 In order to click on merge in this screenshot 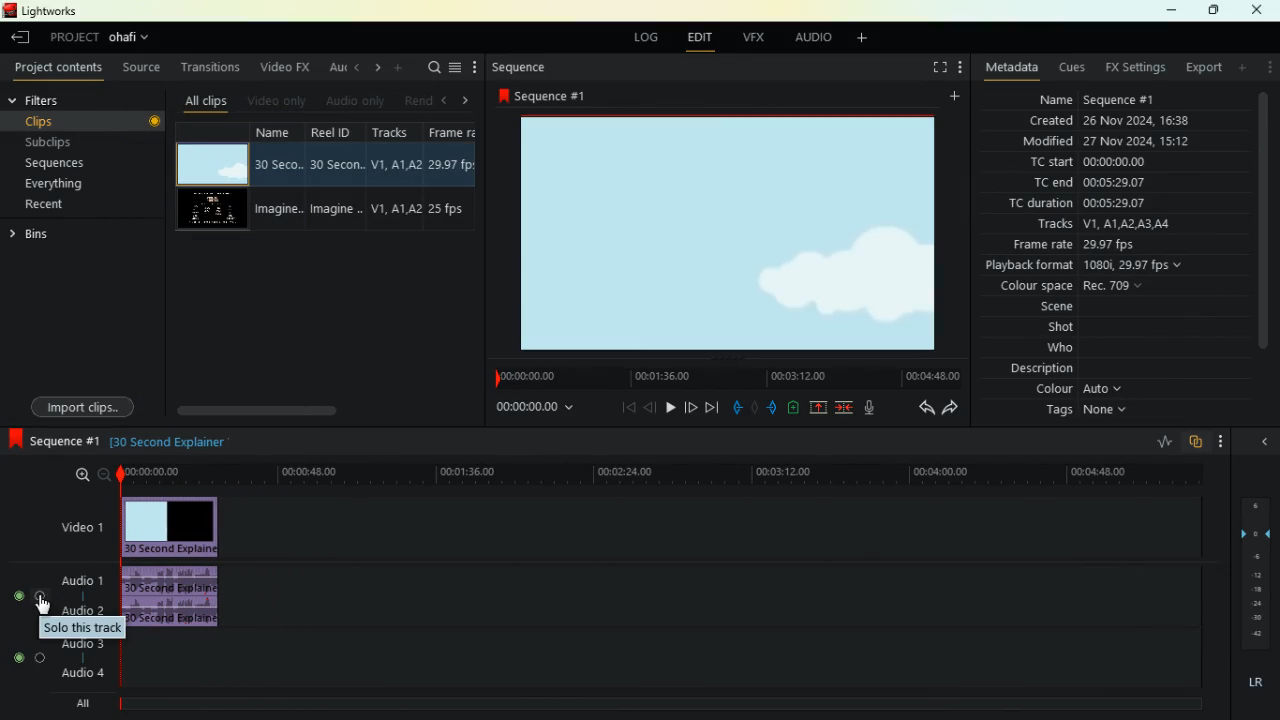, I will do `click(844, 409)`.